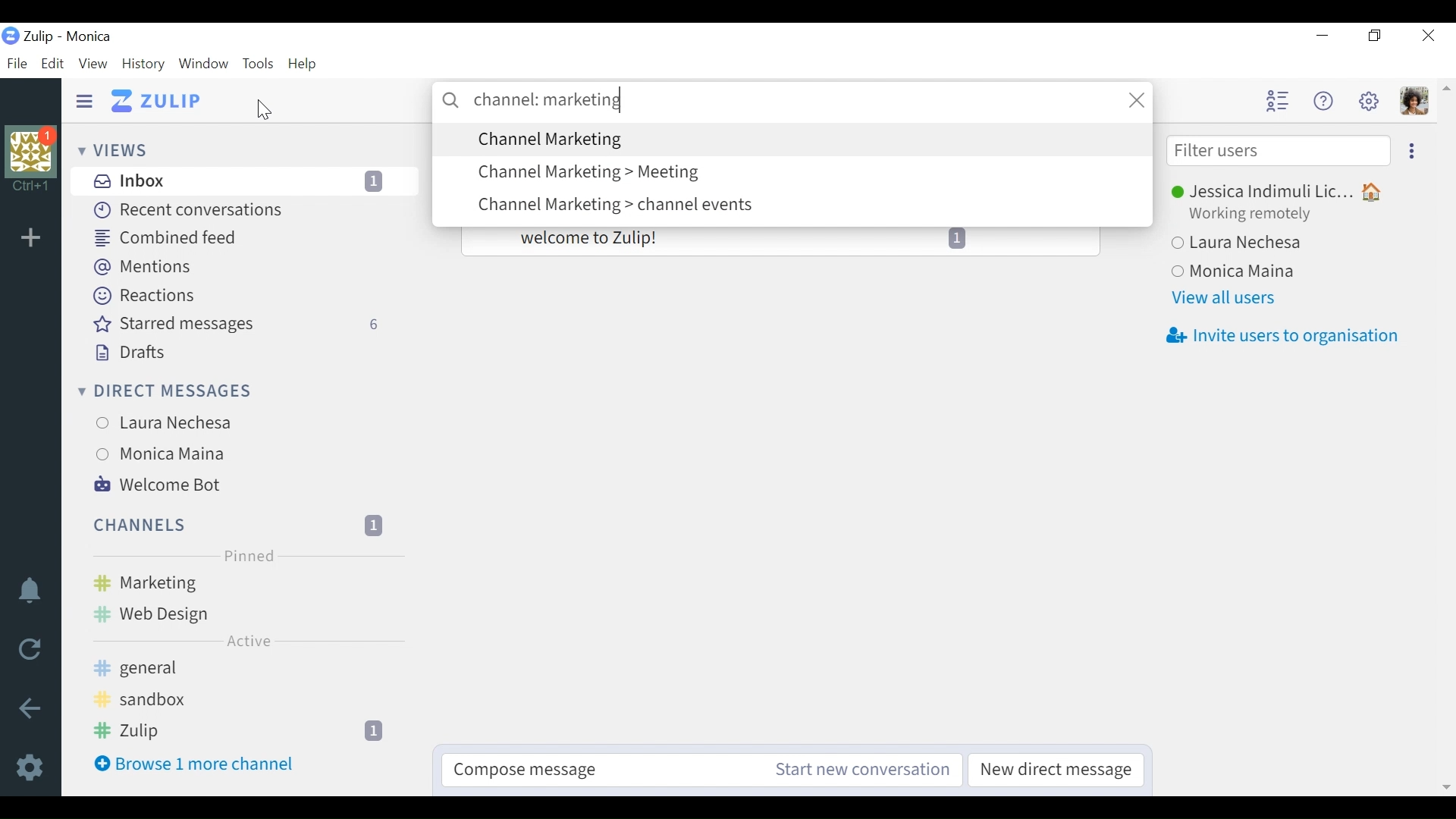 The width and height of the screenshot is (1456, 819). Describe the element at coordinates (35, 238) in the screenshot. I see `Add organisation` at that location.